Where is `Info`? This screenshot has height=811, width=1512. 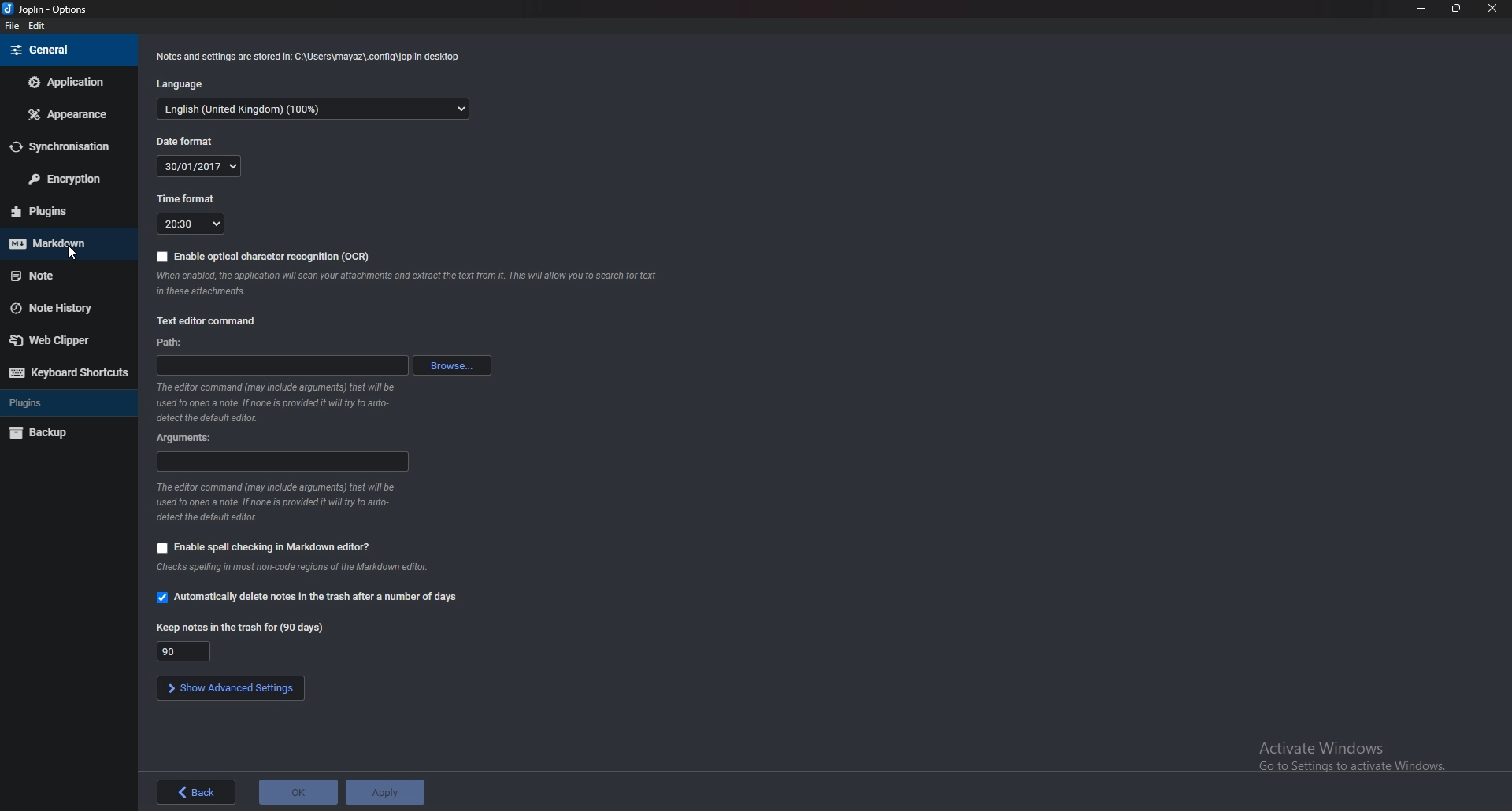
Info is located at coordinates (292, 569).